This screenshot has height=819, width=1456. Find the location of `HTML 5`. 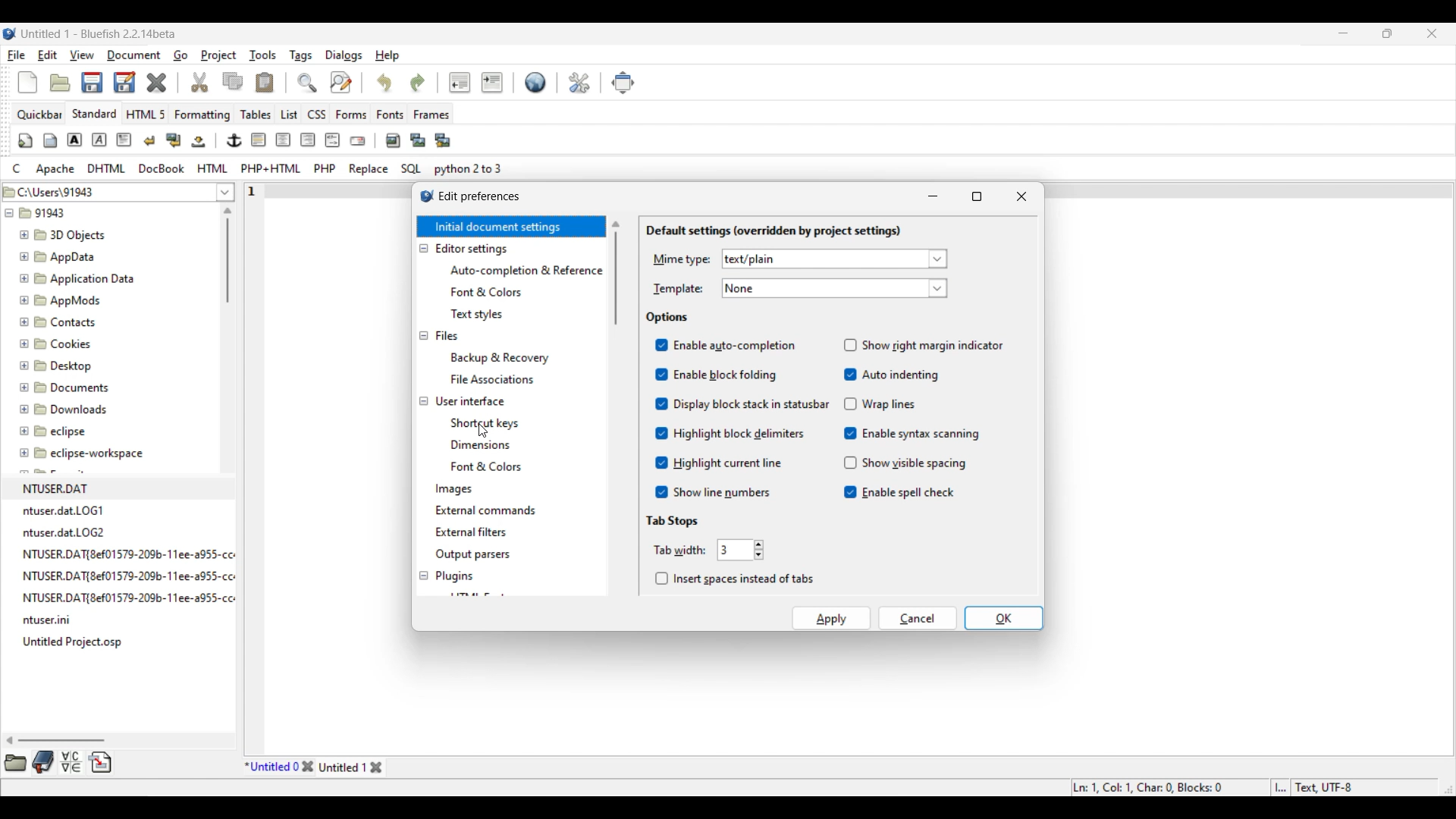

HTML 5 is located at coordinates (146, 114).